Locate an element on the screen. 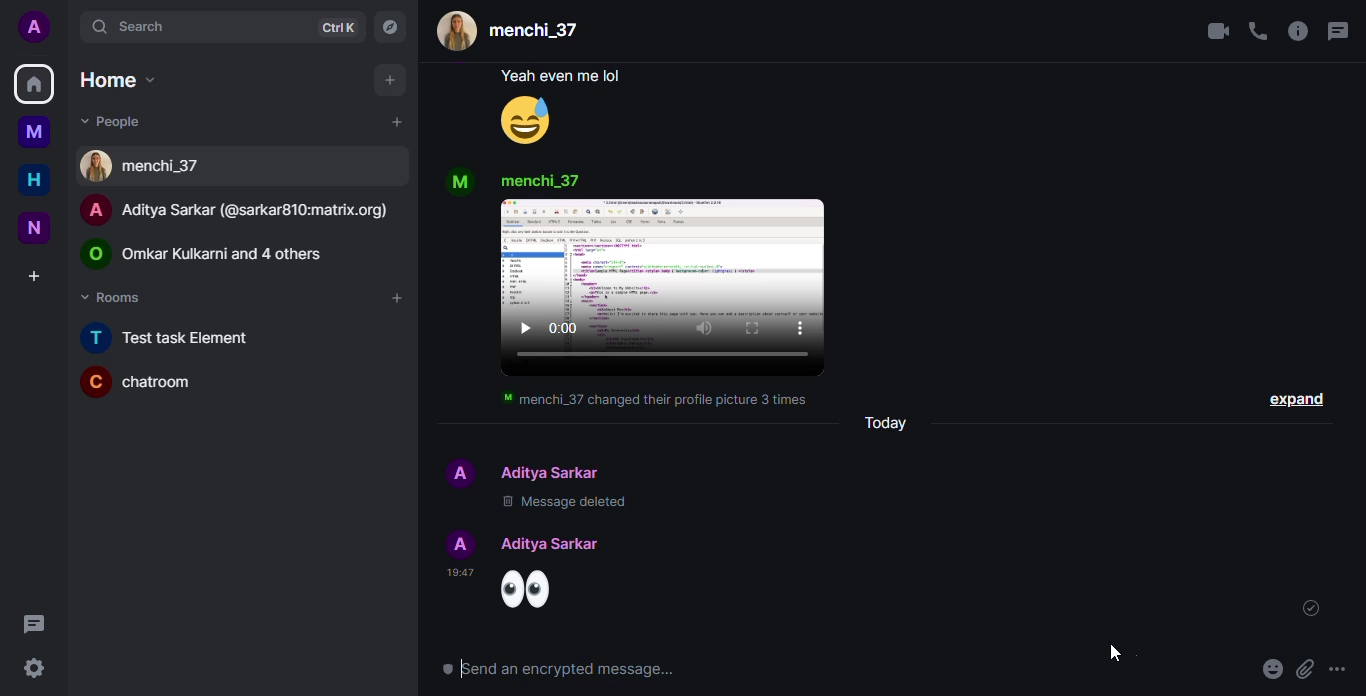 The height and width of the screenshot is (696, 1366). home is located at coordinates (34, 180).